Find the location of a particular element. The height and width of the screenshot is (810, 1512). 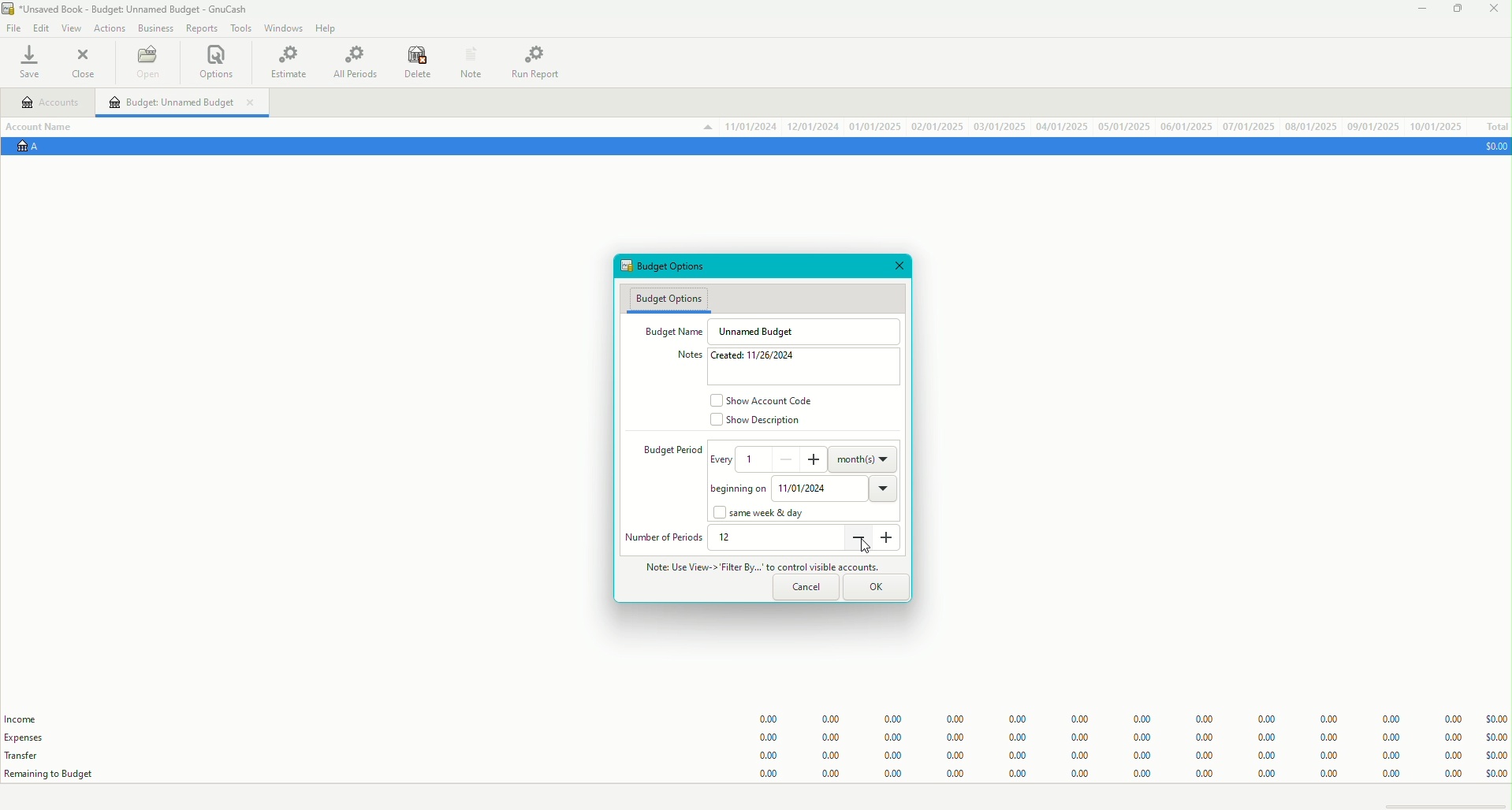

Accounts is located at coordinates (51, 104).